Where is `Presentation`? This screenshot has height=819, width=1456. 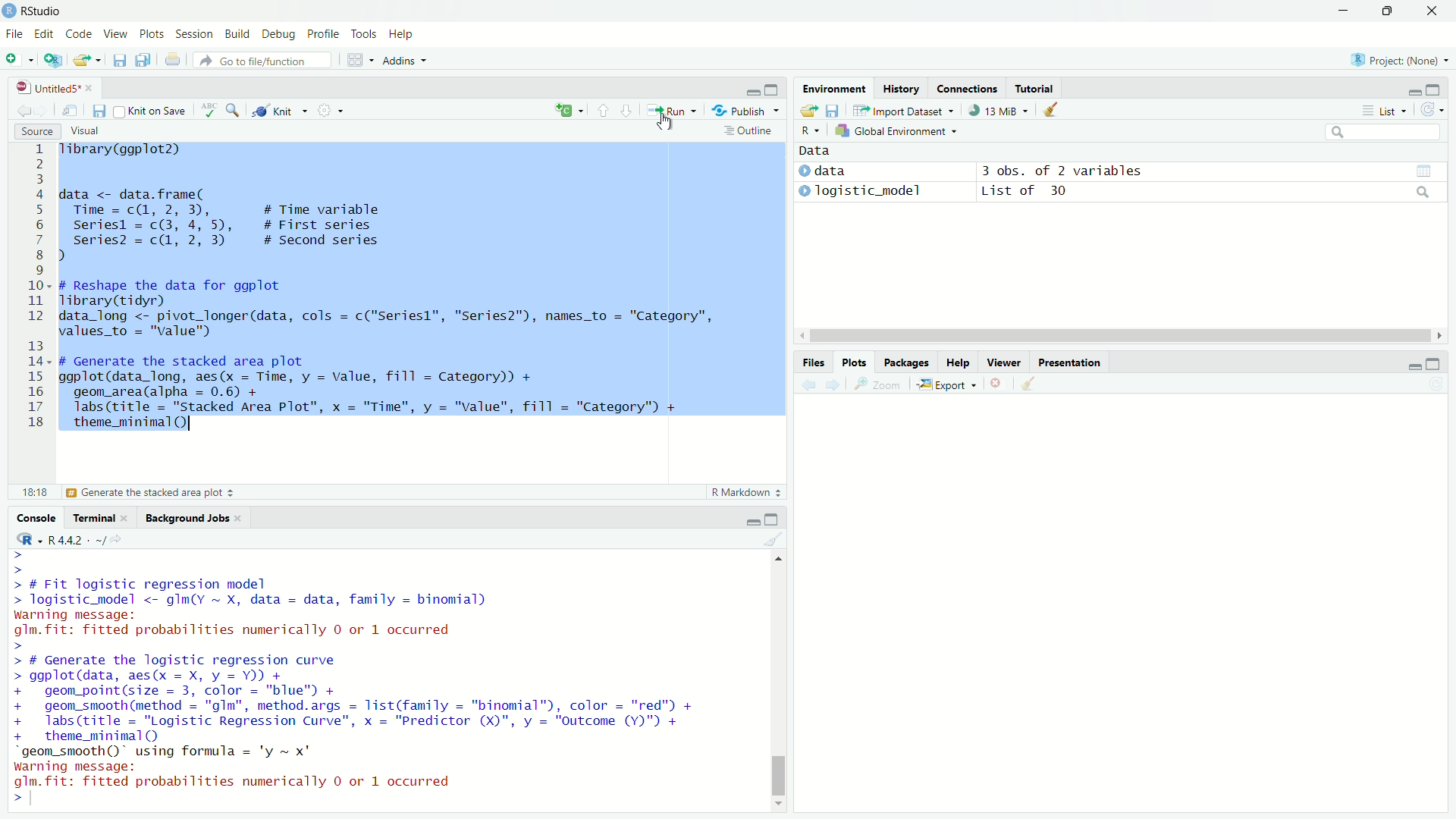
Presentation is located at coordinates (1072, 362).